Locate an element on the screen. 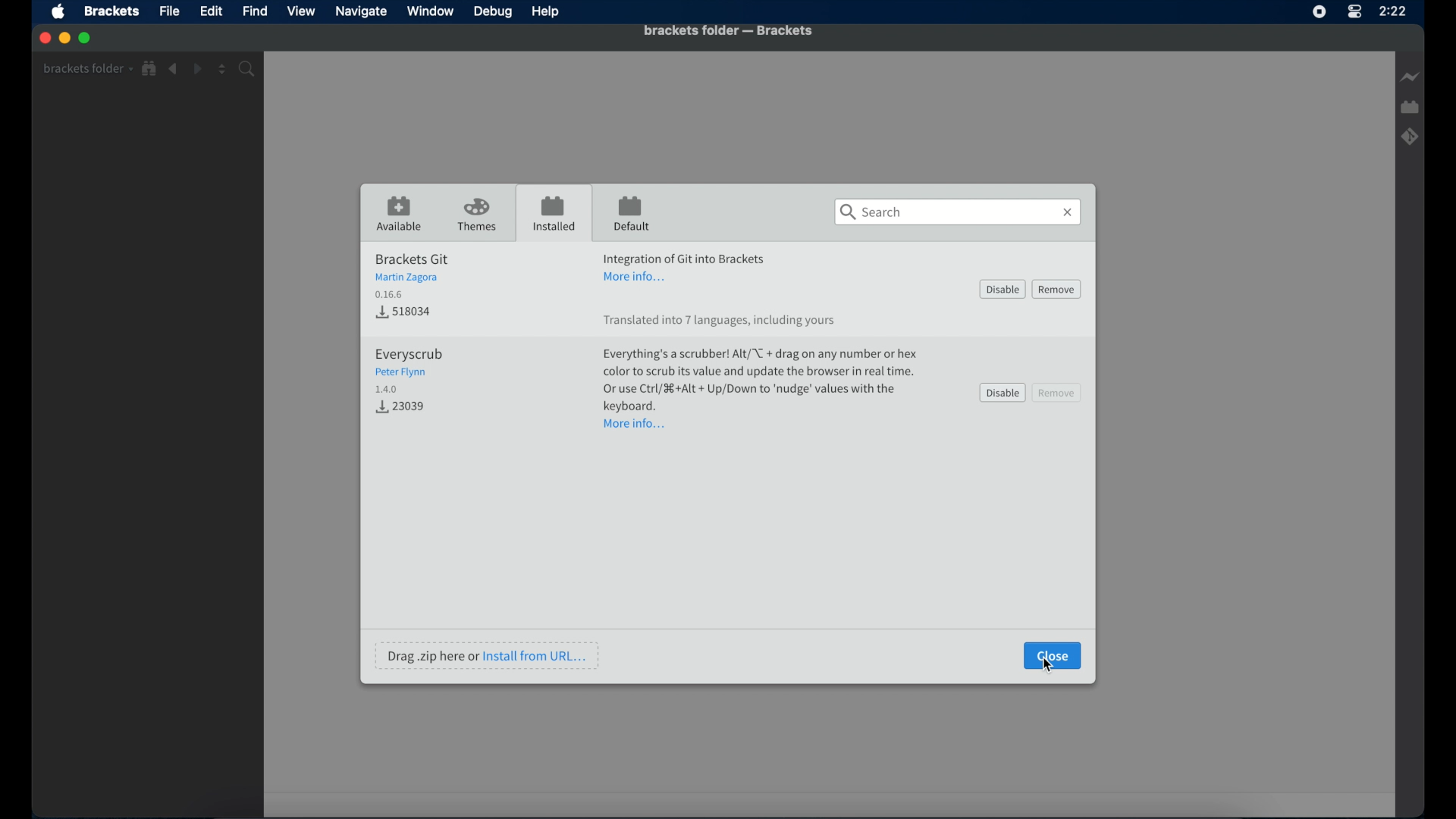 The height and width of the screenshot is (819, 1456). remove is located at coordinates (1057, 289).